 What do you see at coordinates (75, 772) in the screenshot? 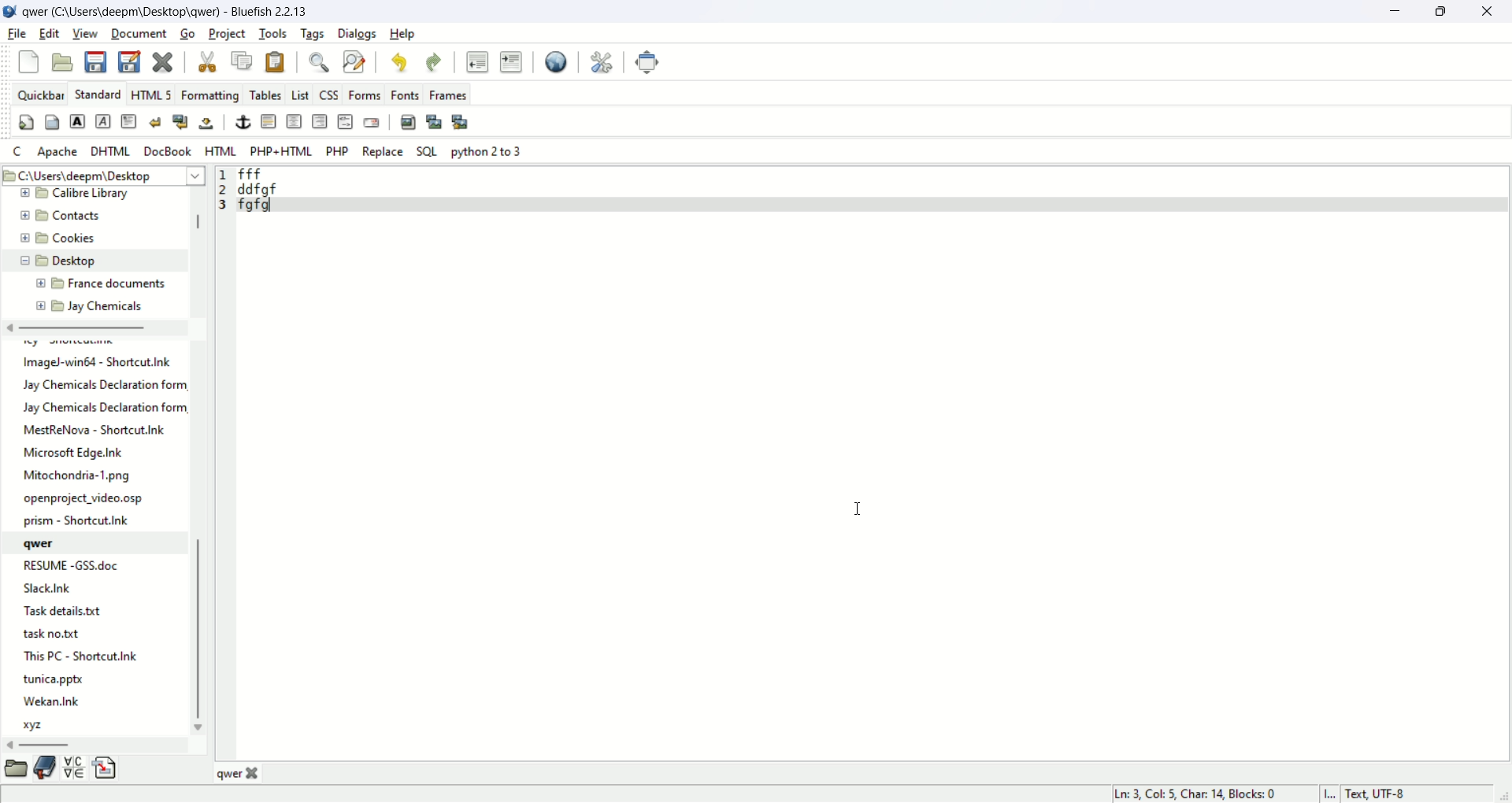
I see `charmap` at bounding box center [75, 772].